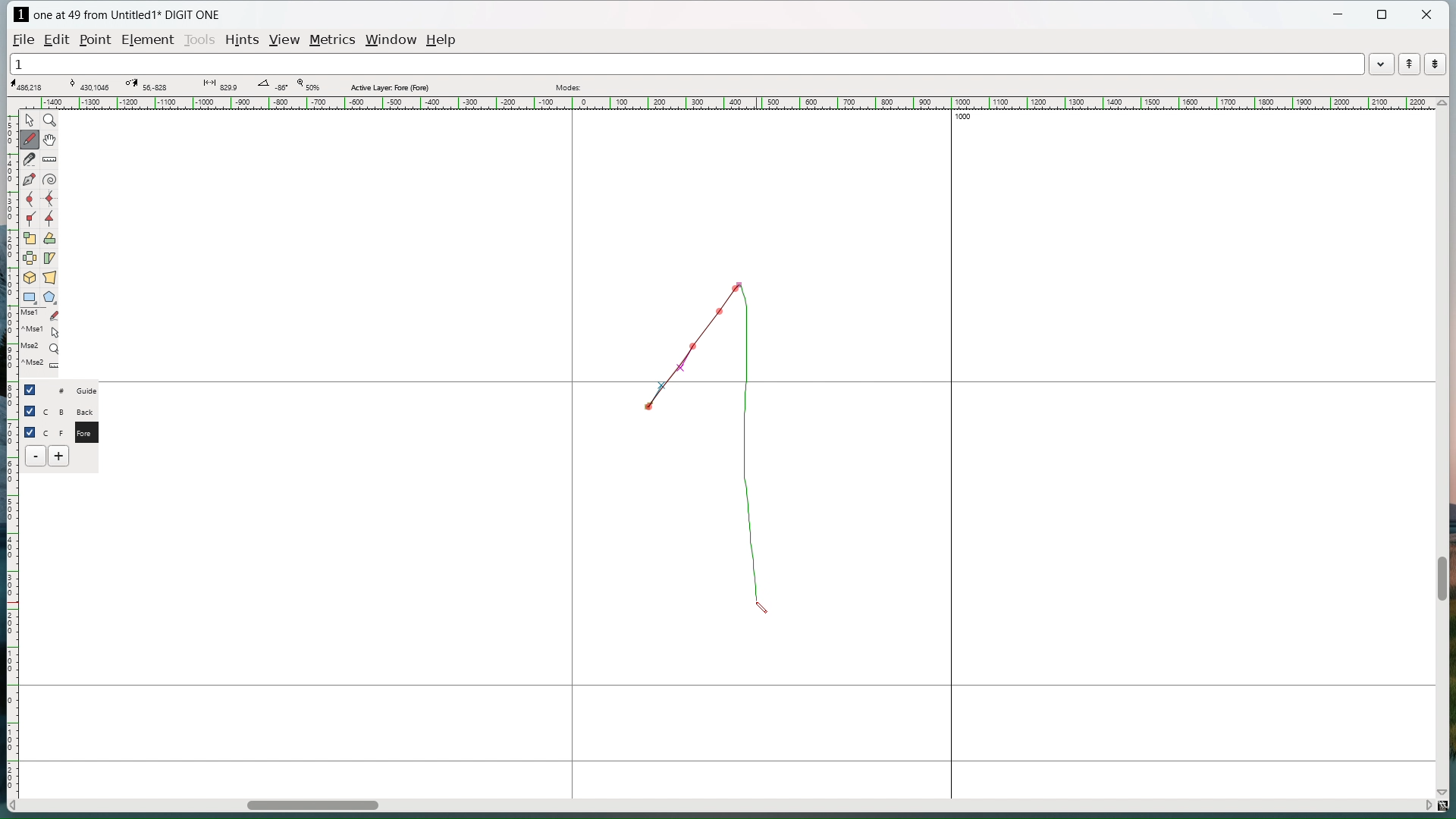  I want to click on show the next word in the word list, so click(1436, 64).